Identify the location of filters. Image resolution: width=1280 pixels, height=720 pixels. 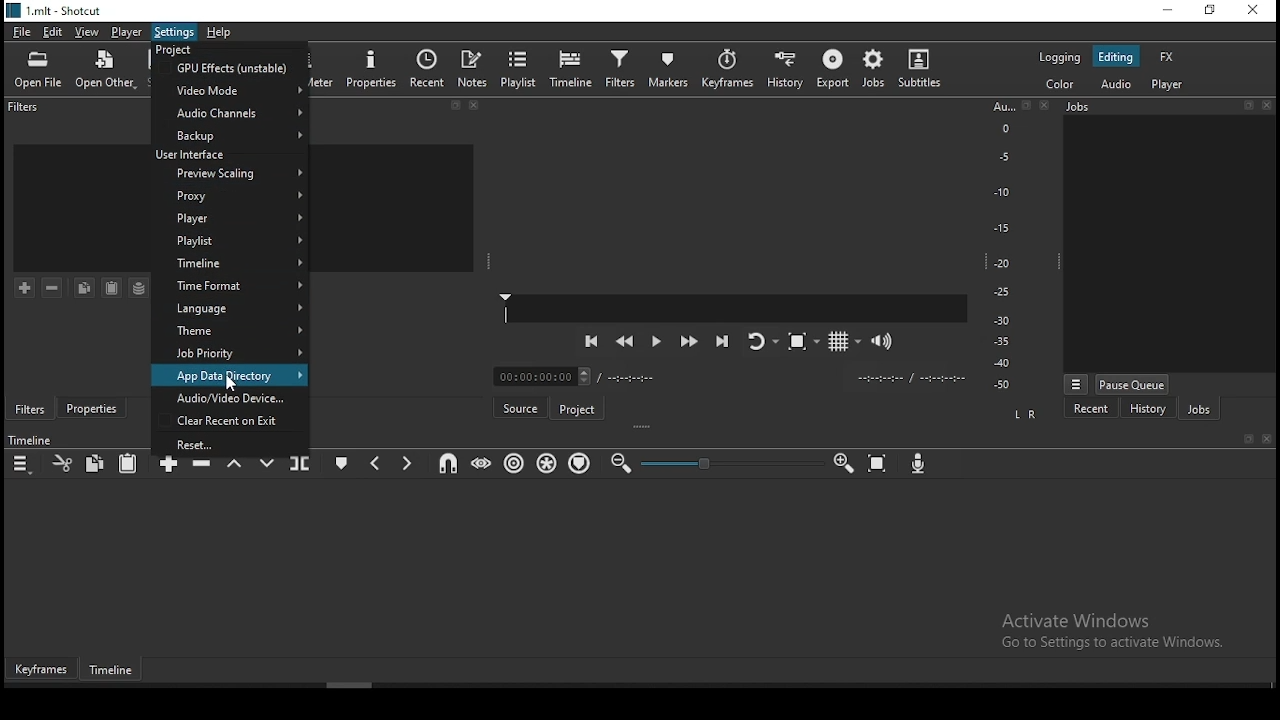
(25, 110).